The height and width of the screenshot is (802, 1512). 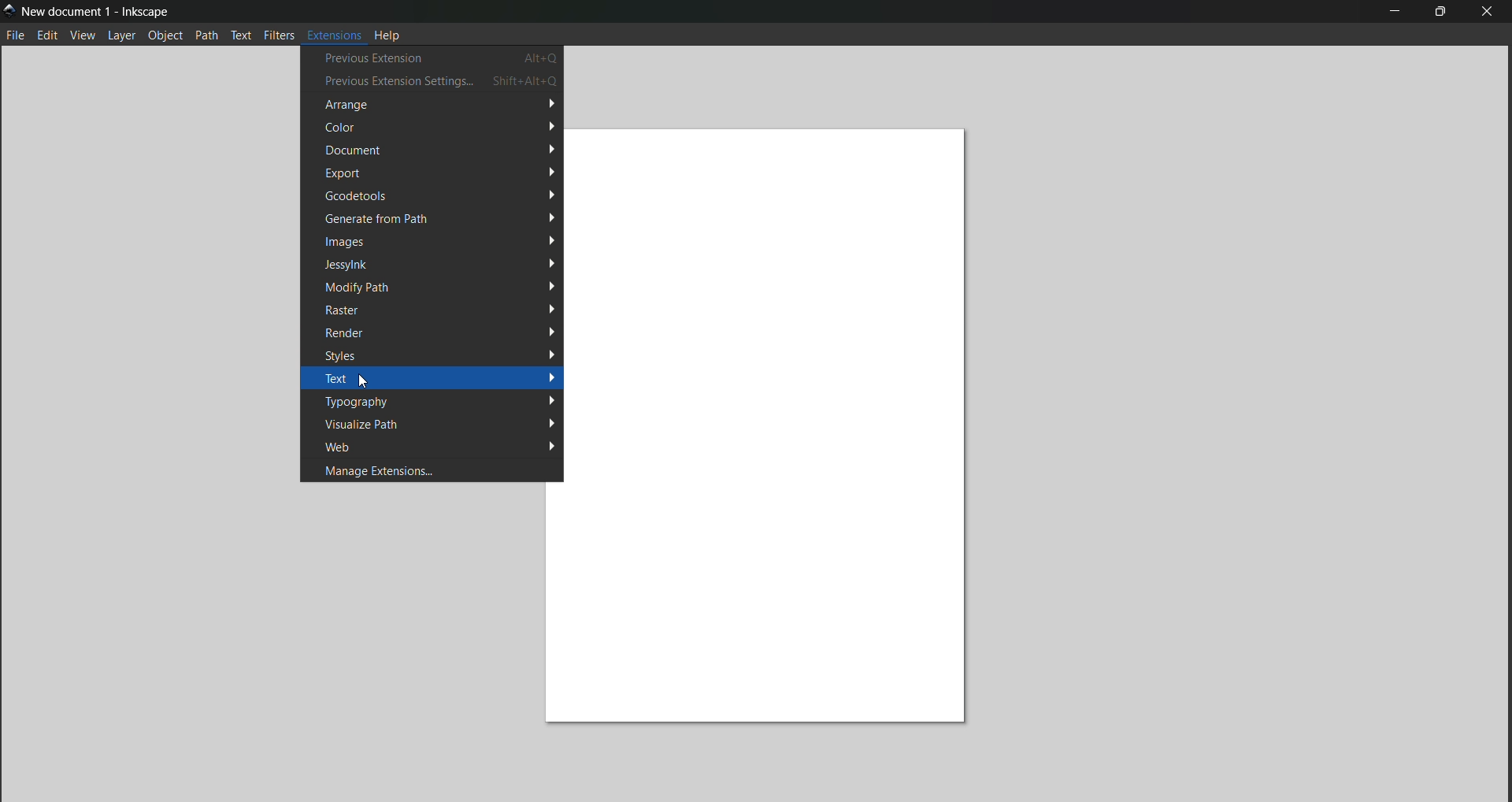 I want to click on styles, so click(x=436, y=354).